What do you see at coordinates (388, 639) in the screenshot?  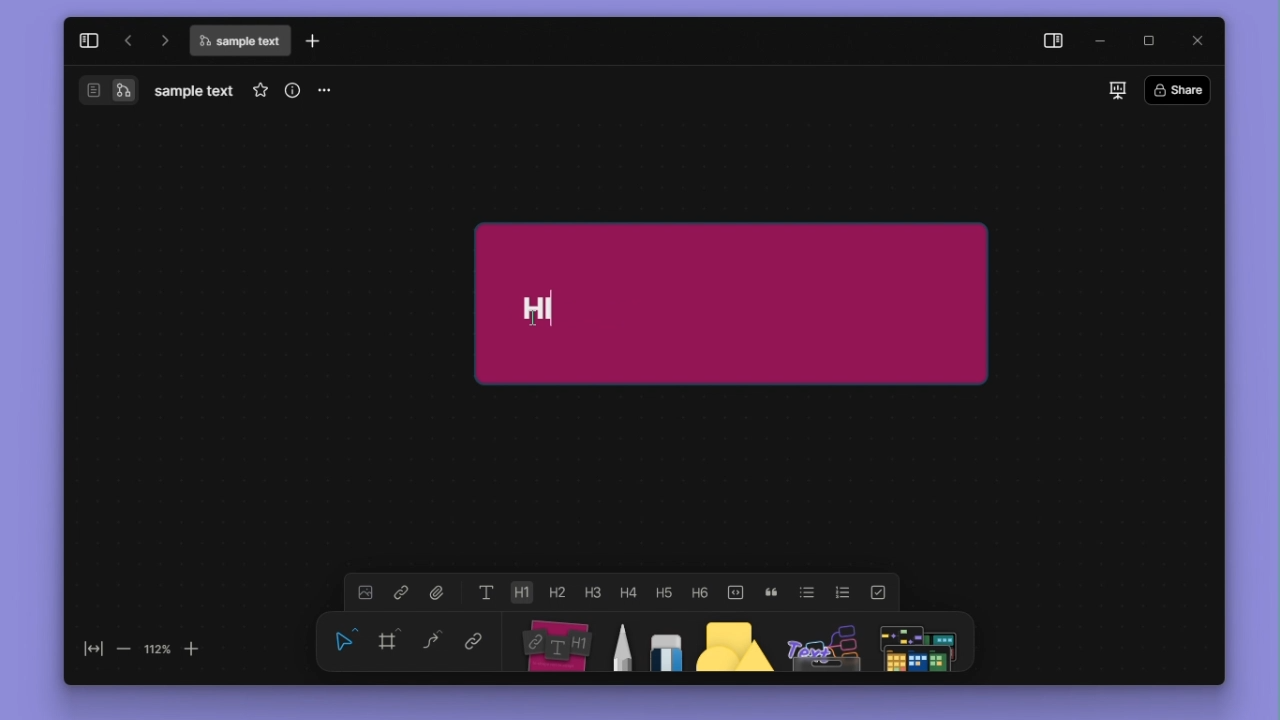 I see `frame` at bounding box center [388, 639].